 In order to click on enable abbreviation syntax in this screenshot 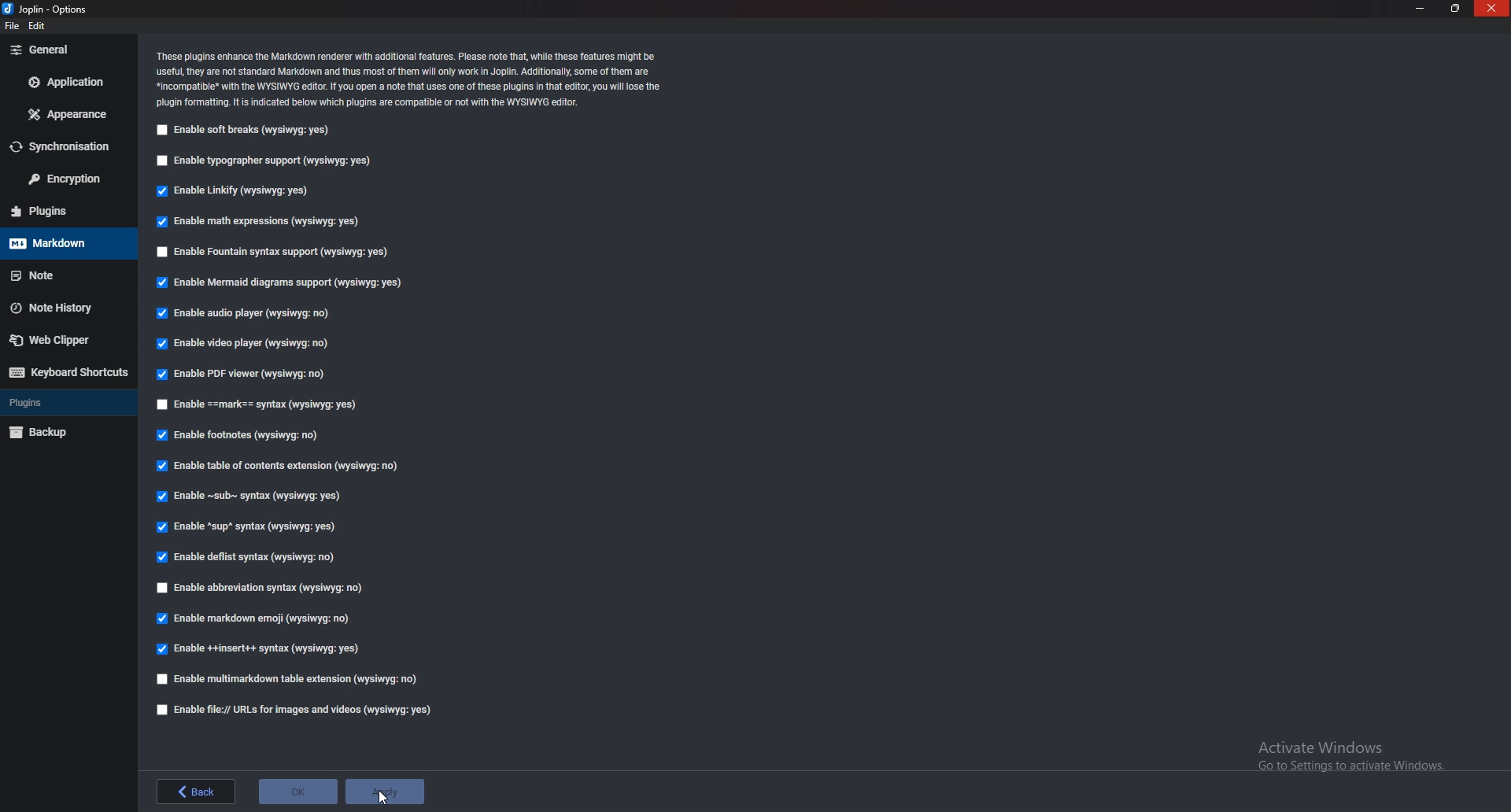, I will do `click(262, 589)`.